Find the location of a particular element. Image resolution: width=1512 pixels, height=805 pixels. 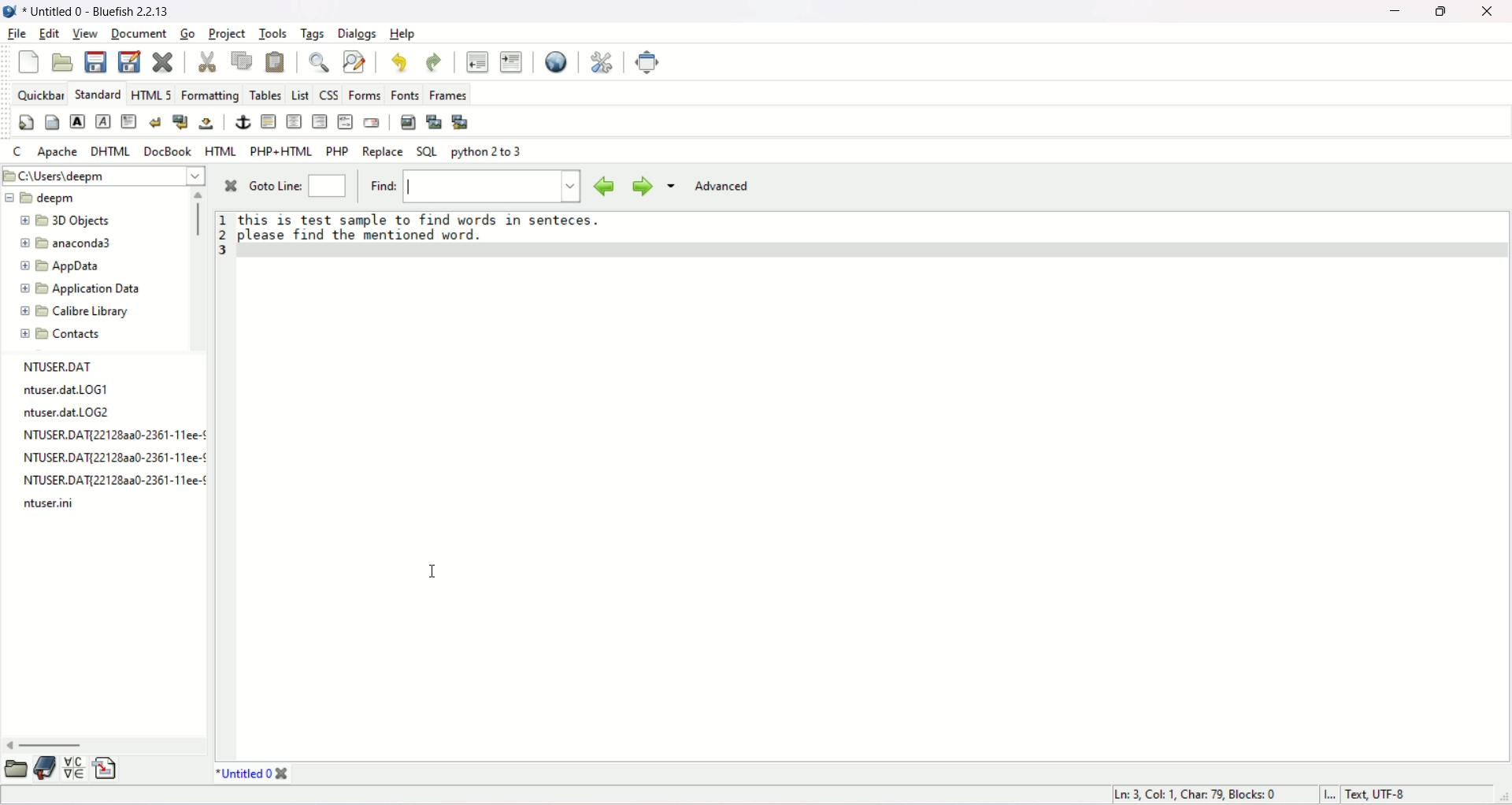

new is located at coordinates (29, 61).